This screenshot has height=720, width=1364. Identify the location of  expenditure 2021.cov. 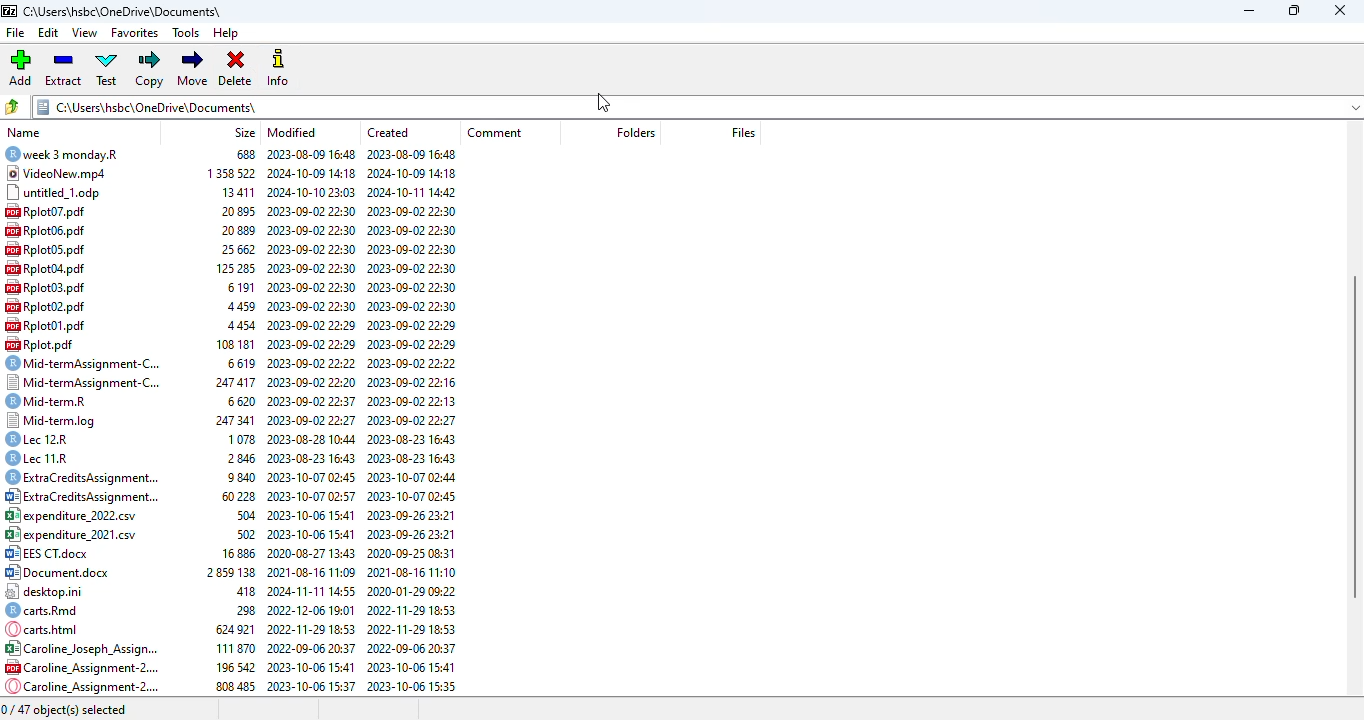
(75, 535).